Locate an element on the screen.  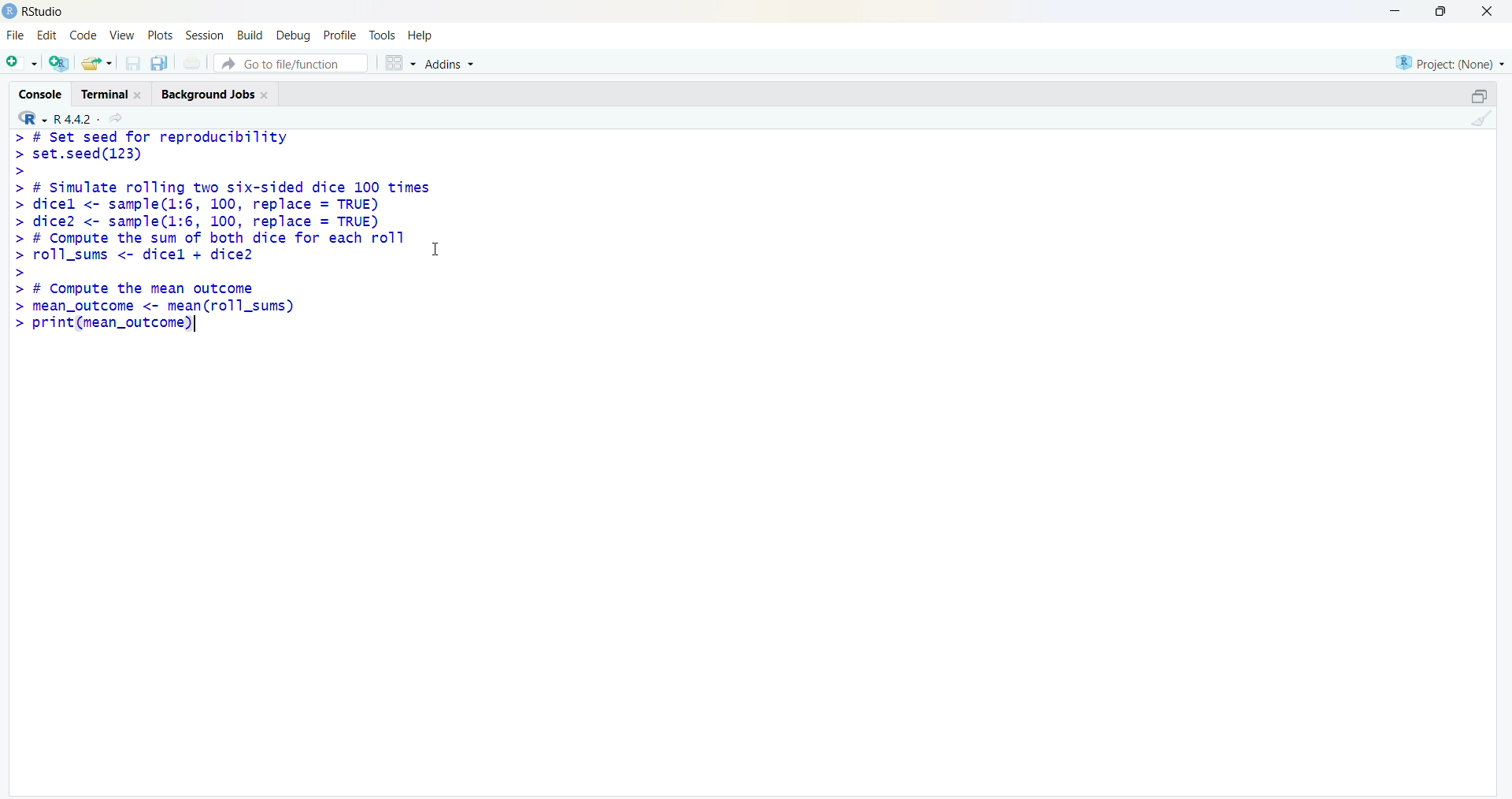
copy is located at coordinates (159, 62).